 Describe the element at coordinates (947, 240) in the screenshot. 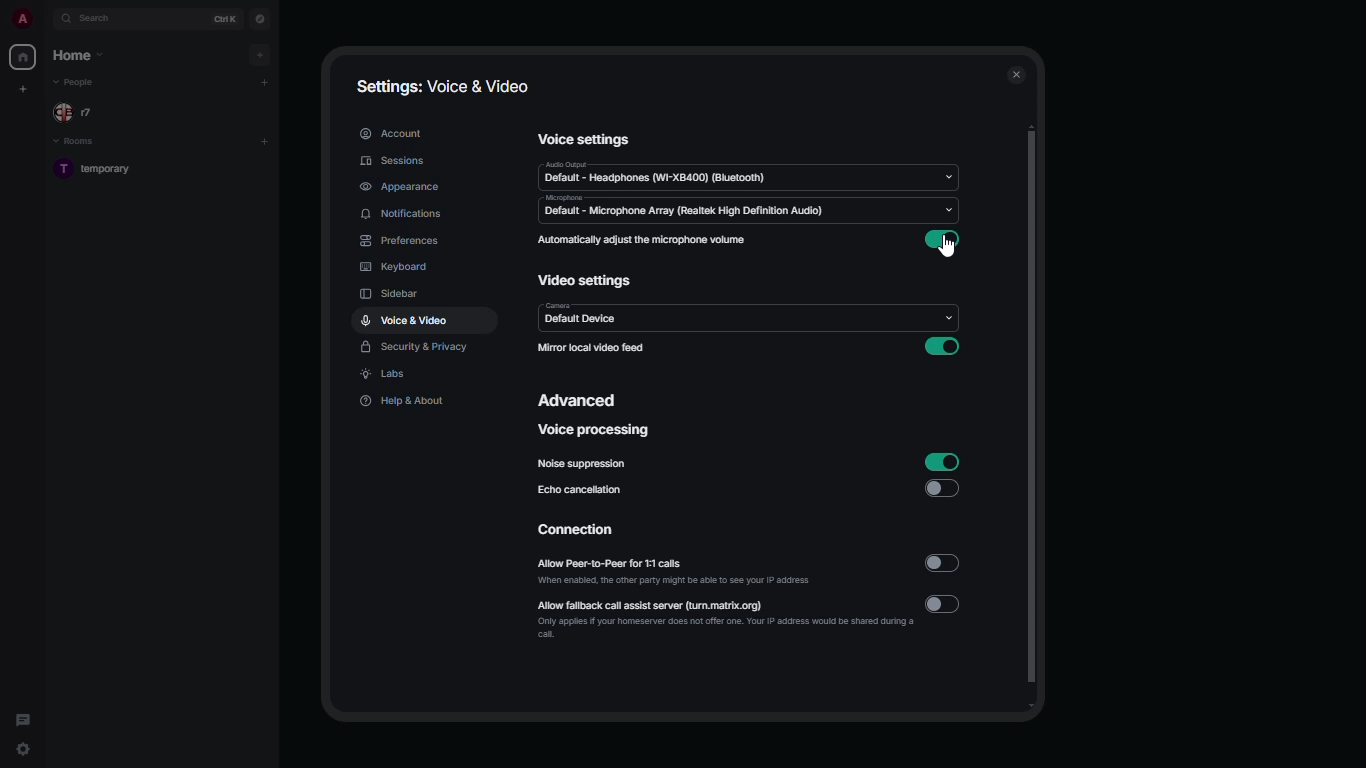

I see `enabled` at that location.